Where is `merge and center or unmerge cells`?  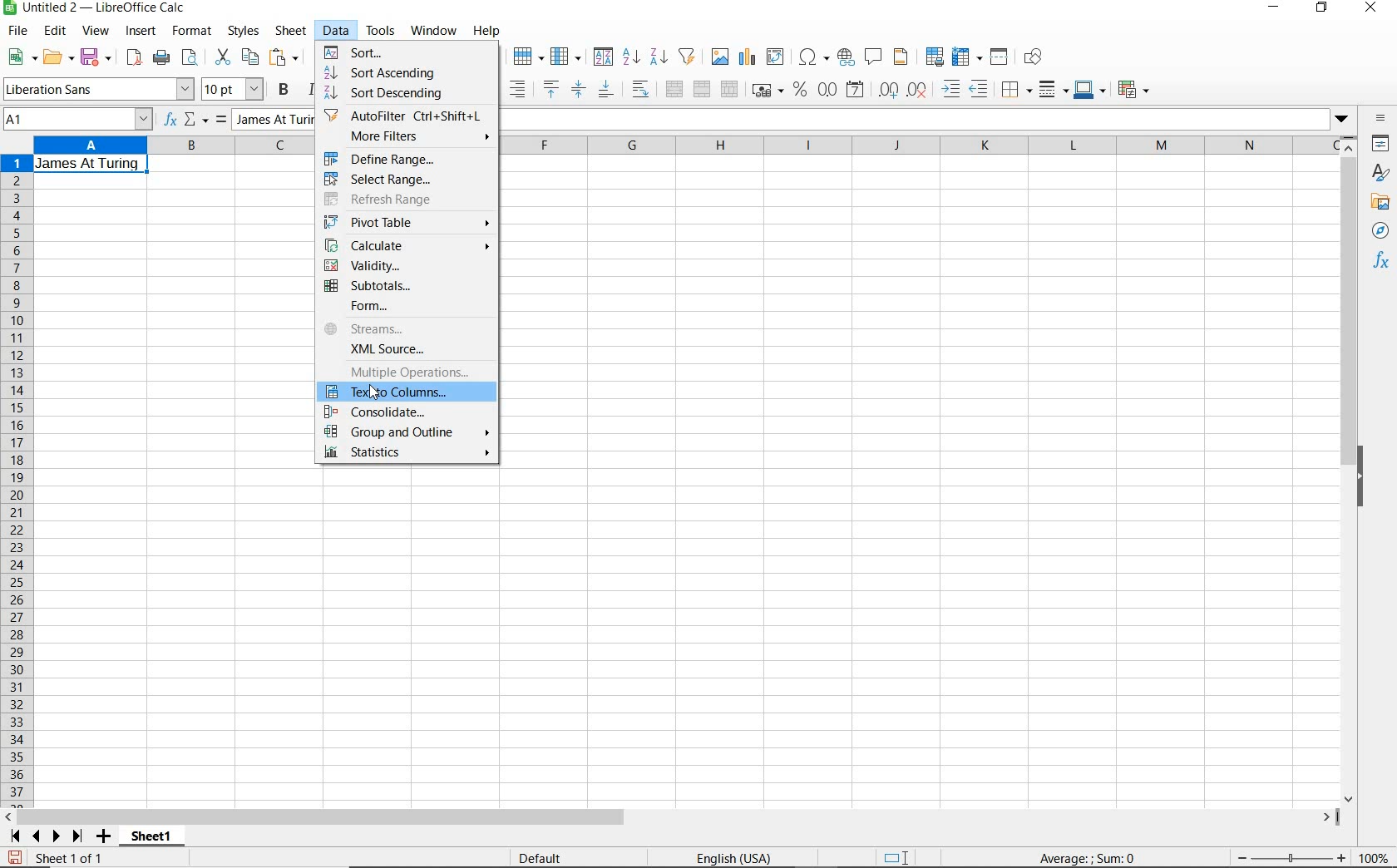 merge and center or unmerge cells is located at coordinates (674, 90).